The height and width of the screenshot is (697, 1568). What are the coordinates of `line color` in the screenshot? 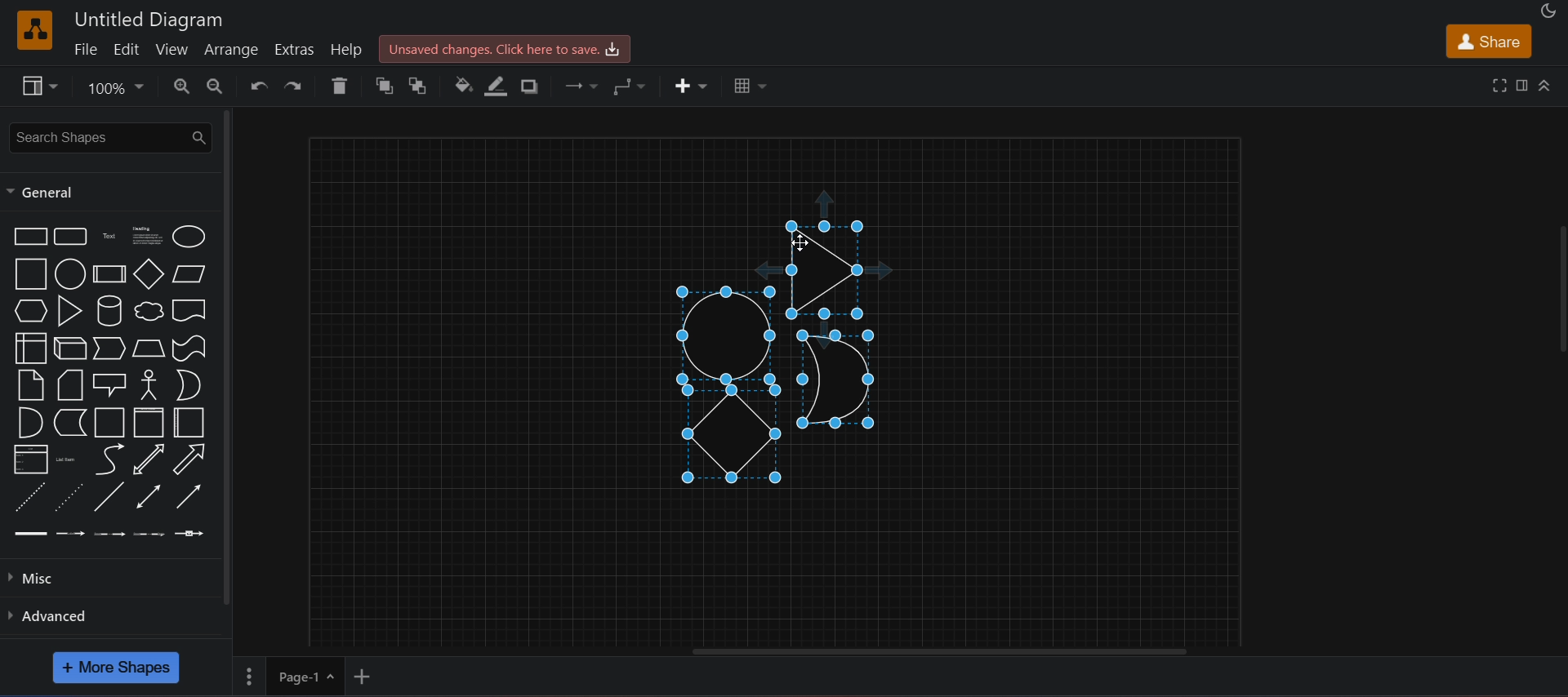 It's located at (498, 85).